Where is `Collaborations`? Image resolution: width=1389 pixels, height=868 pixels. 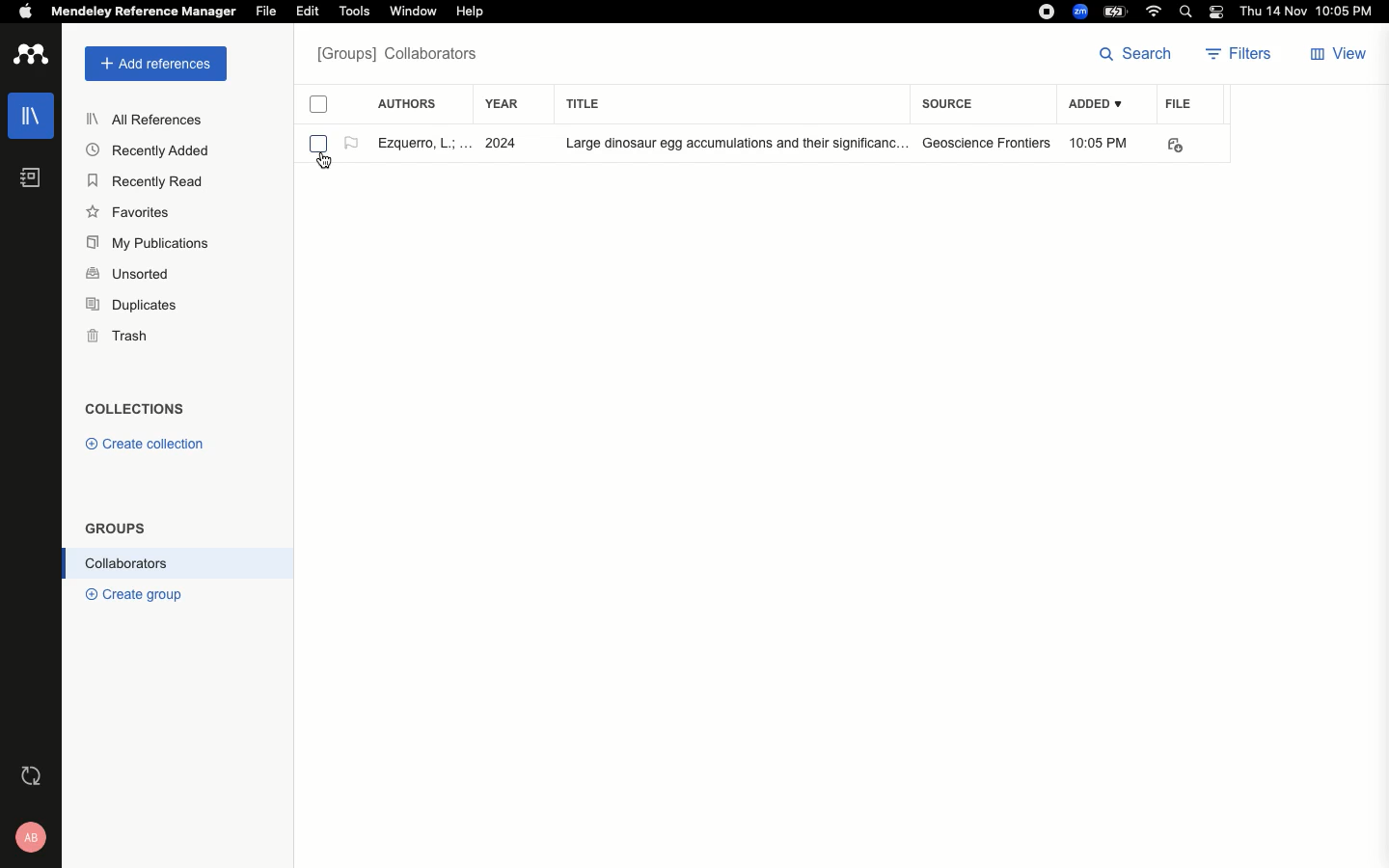
Collaborations is located at coordinates (181, 566).